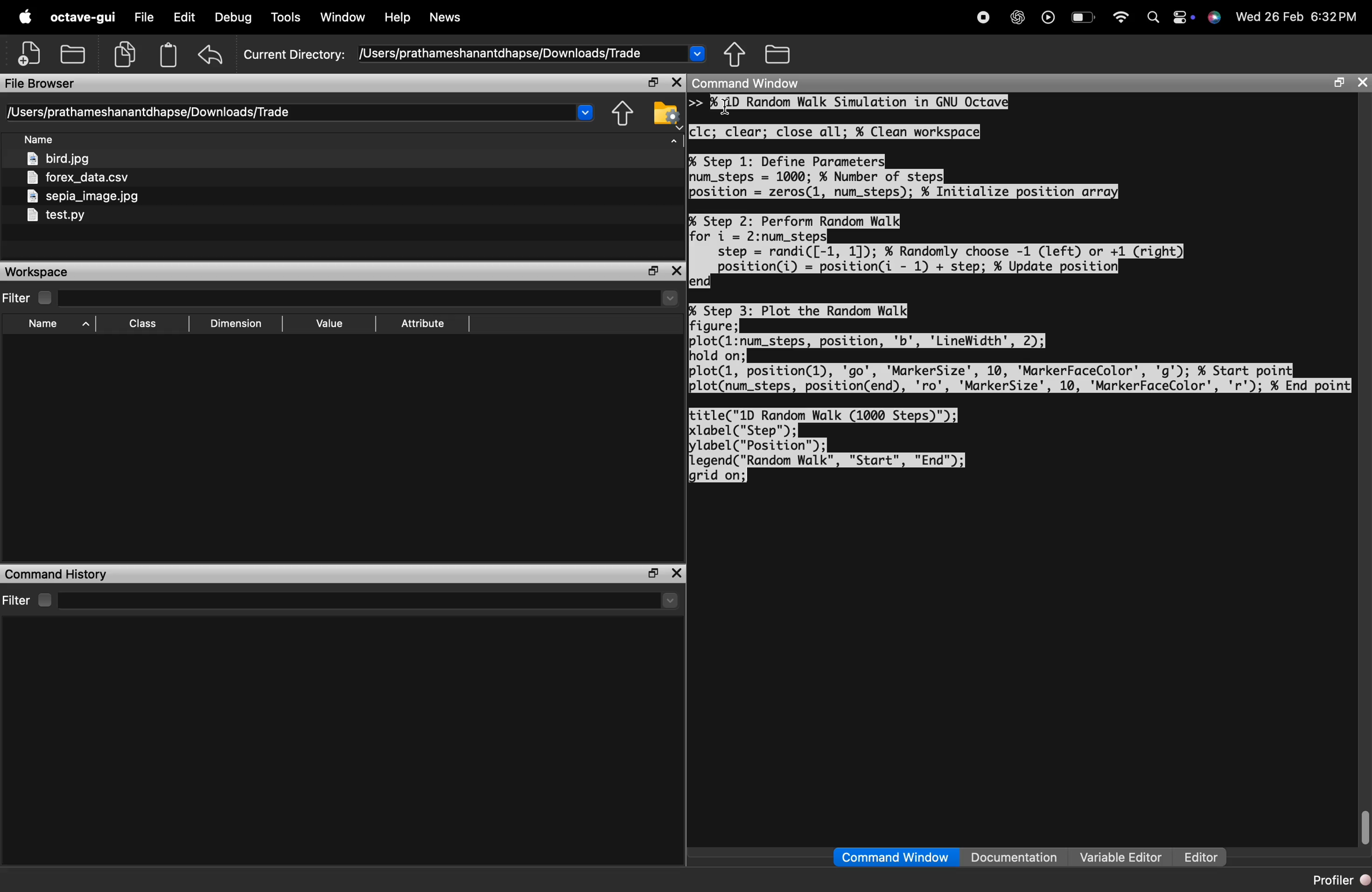  Describe the element at coordinates (677, 271) in the screenshot. I see `close` at that location.